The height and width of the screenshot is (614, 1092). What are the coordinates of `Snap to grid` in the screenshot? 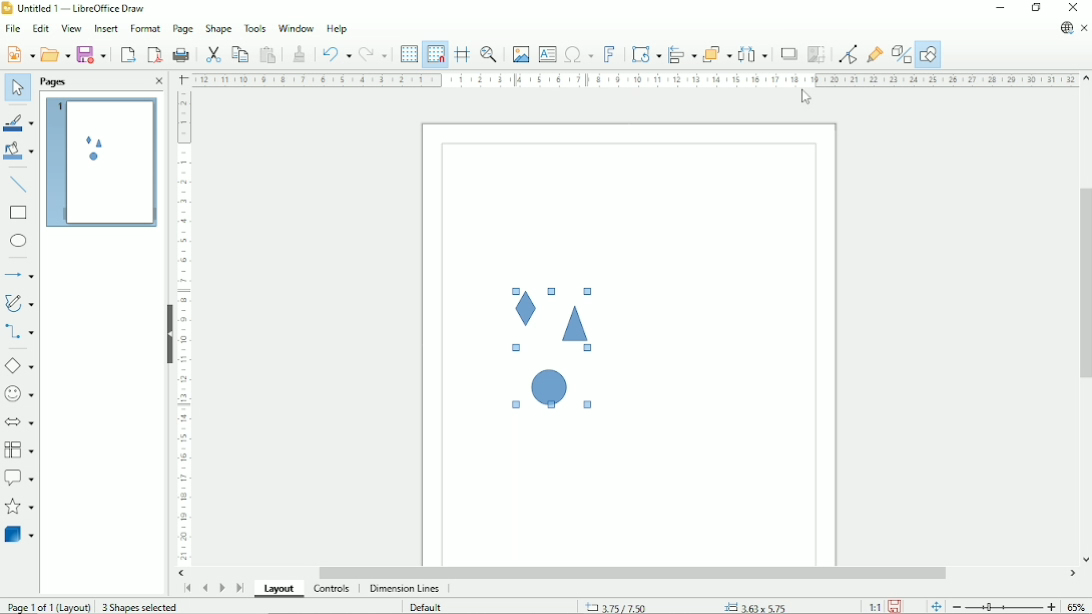 It's located at (435, 54).